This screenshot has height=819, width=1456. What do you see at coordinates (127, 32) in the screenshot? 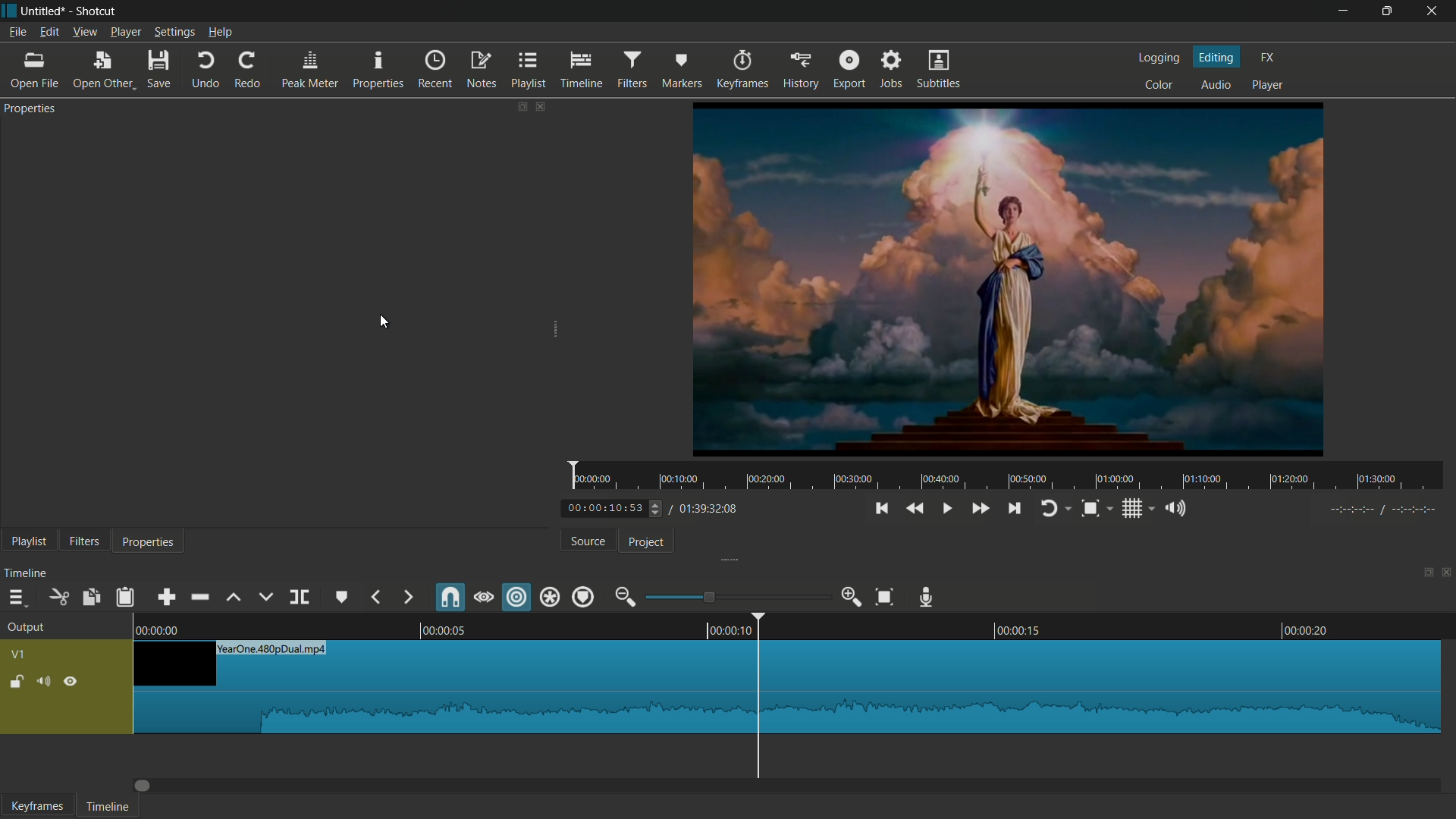
I see `player menu` at bounding box center [127, 32].